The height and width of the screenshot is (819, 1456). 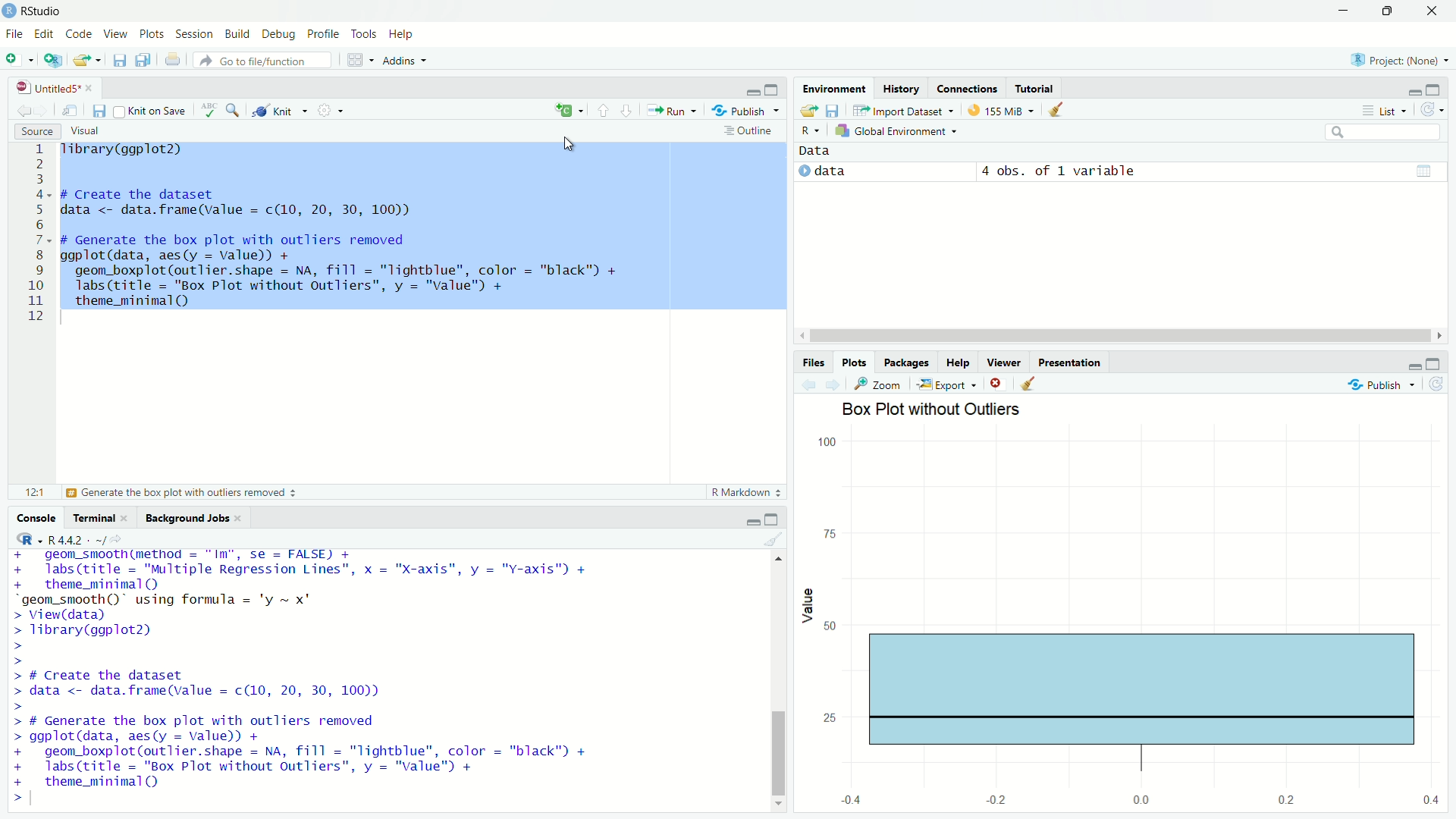 I want to click on settings, so click(x=322, y=111).